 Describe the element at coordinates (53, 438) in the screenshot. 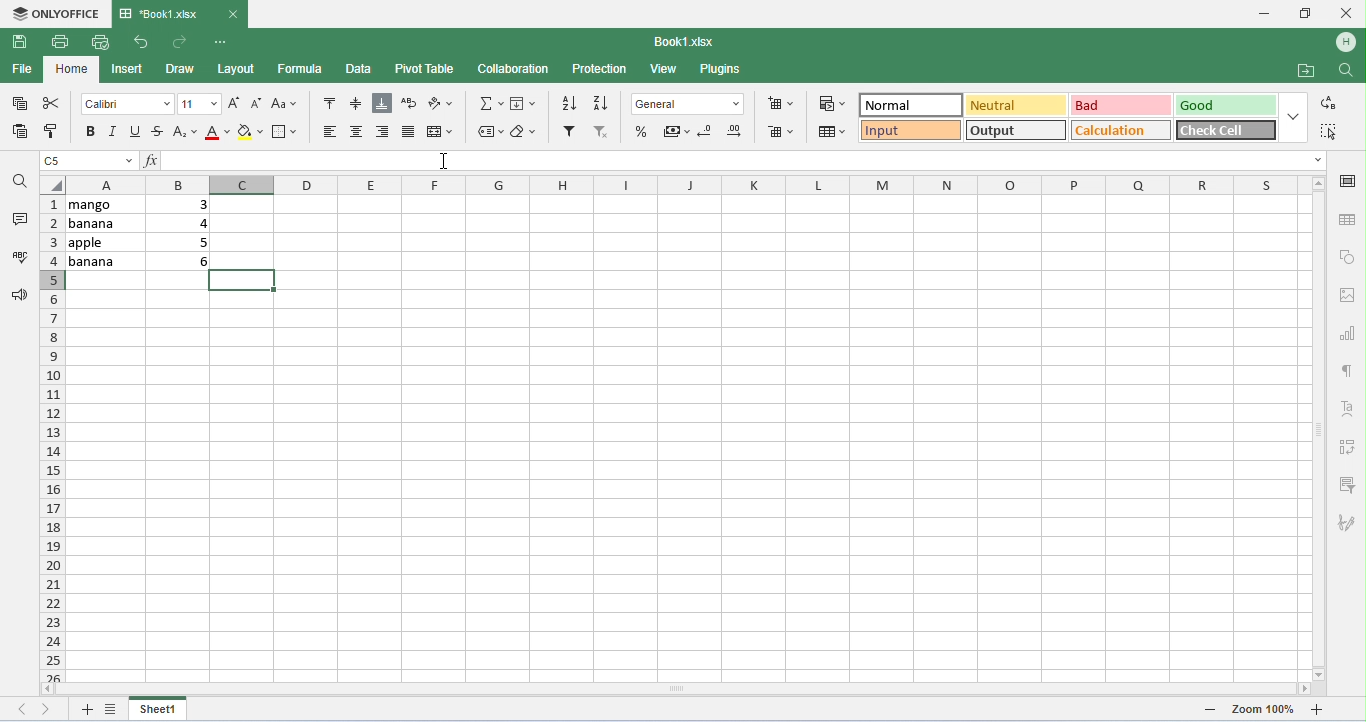

I see `row numbers` at that location.